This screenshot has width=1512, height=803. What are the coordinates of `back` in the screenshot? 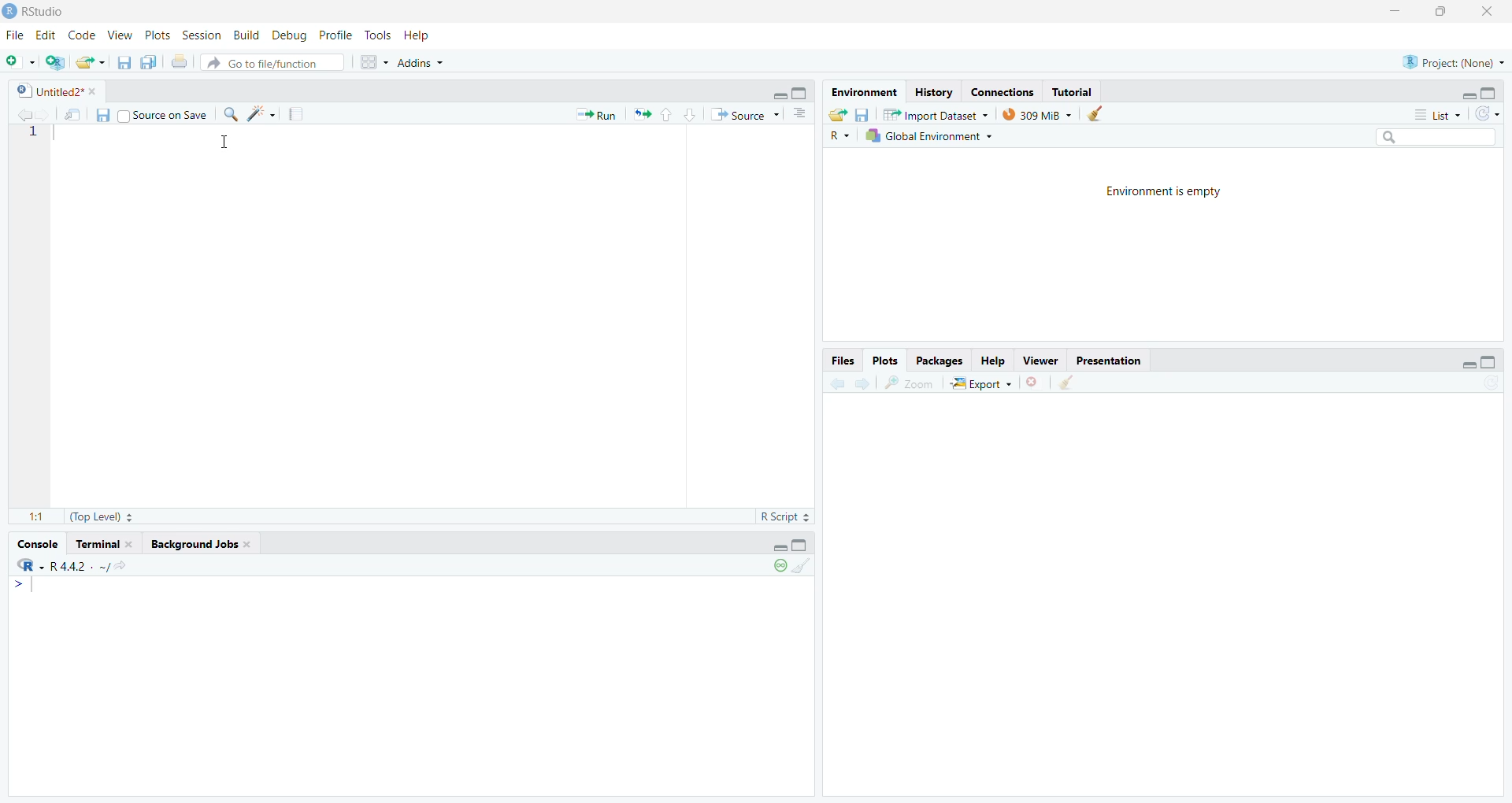 It's located at (26, 114).